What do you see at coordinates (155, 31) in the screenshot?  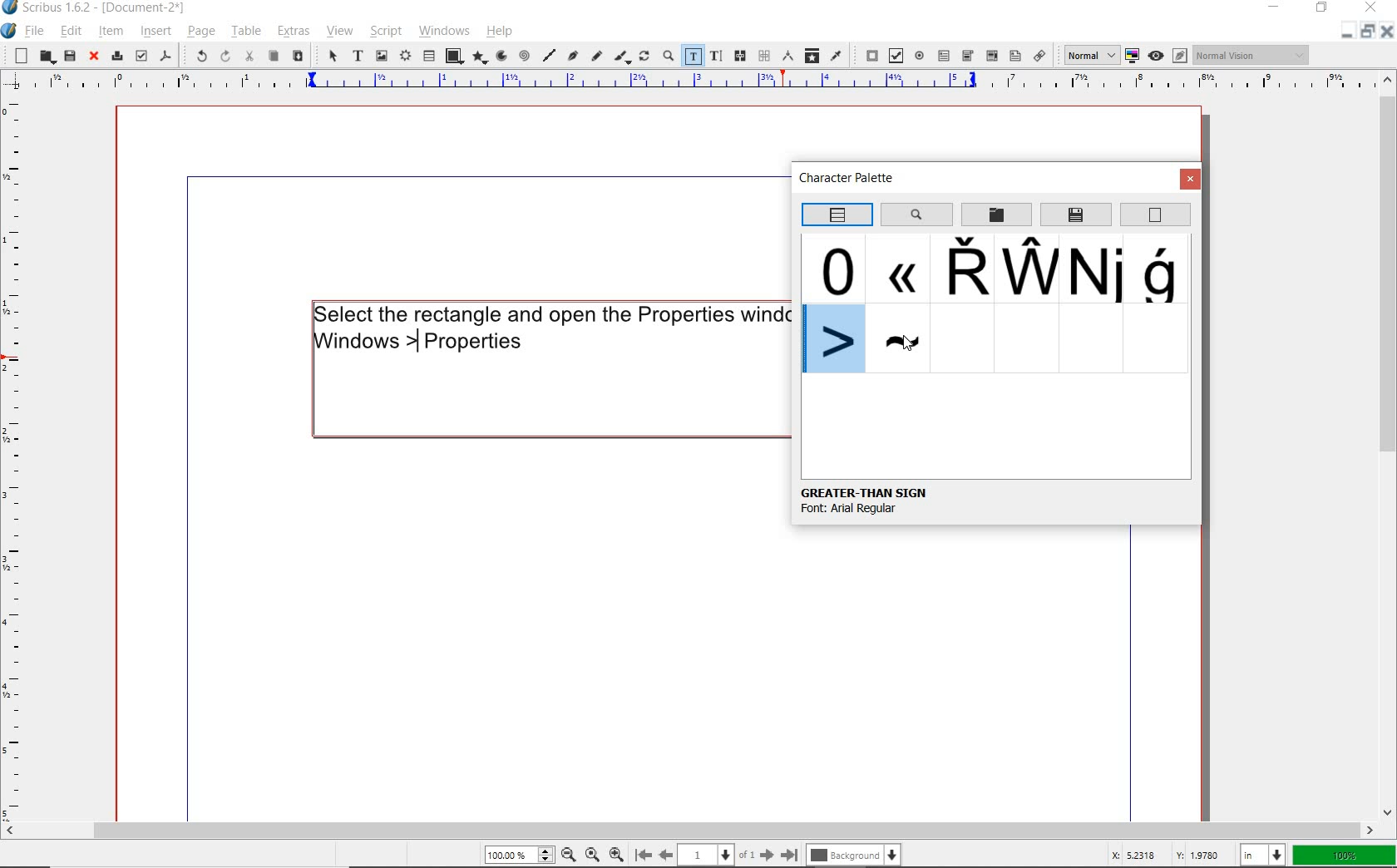 I see `insert` at bounding box center [155, 31].